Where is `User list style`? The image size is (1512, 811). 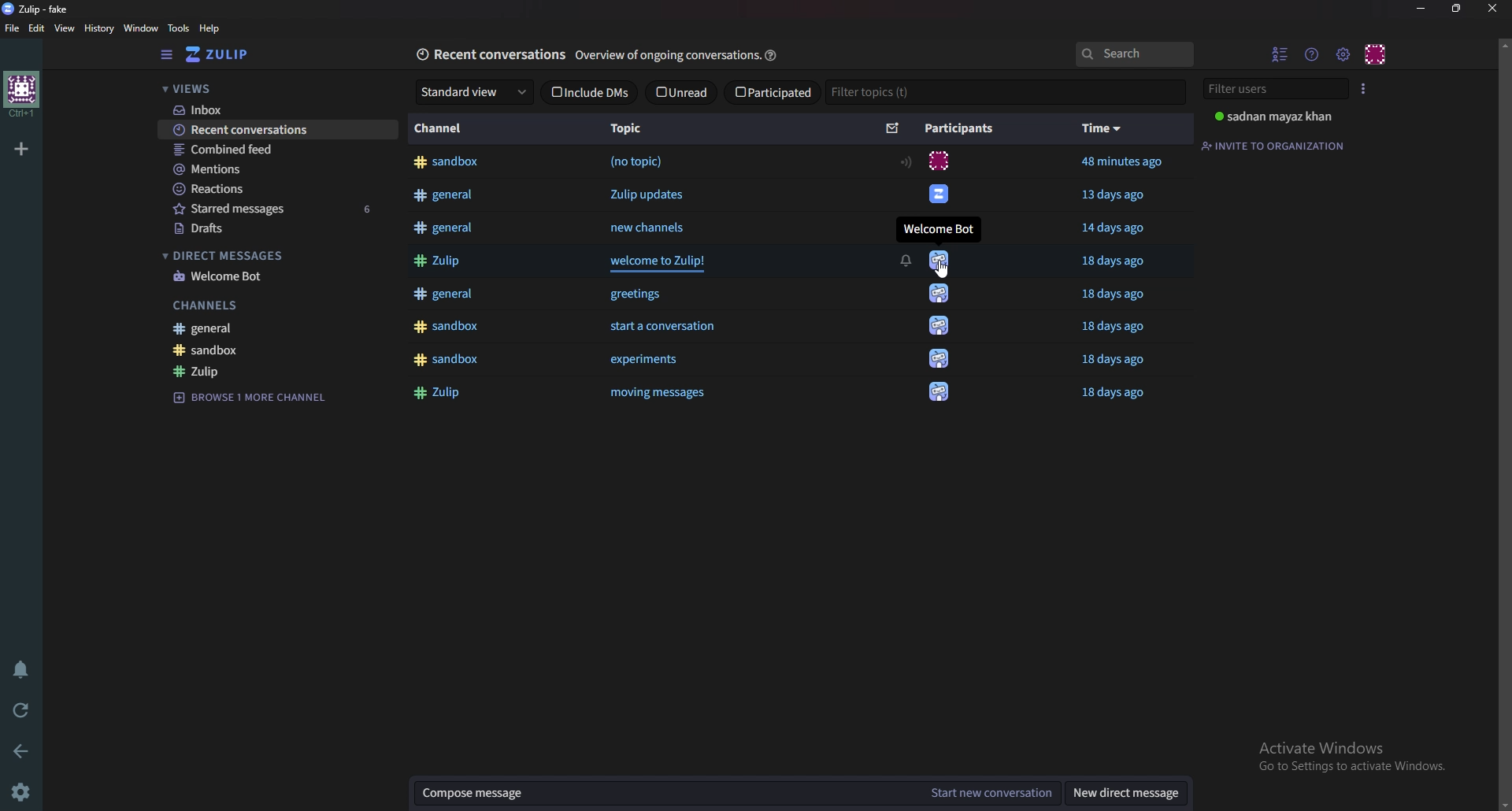
User list style is located at coordinates (1364, 89).